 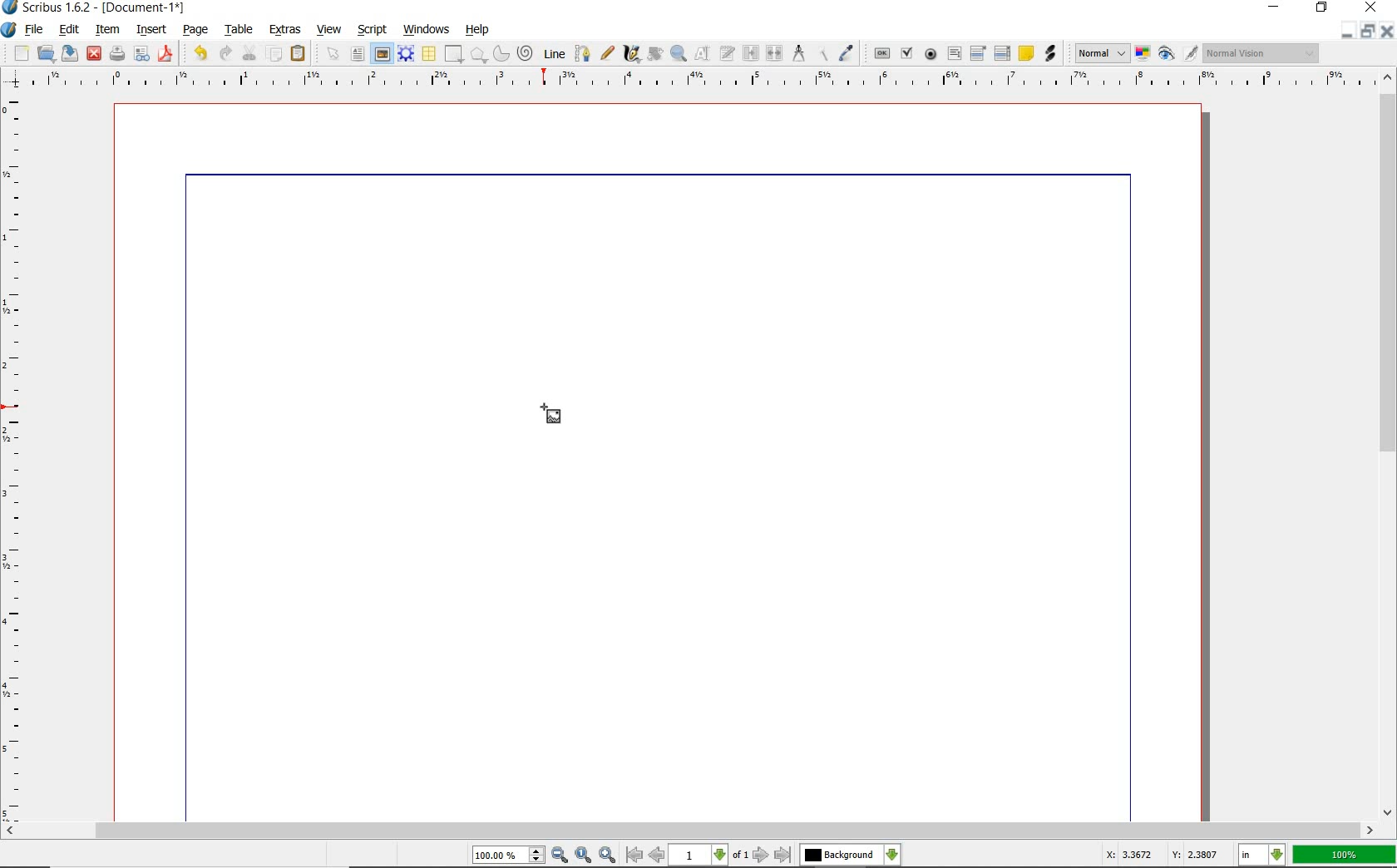 I want to click on view, so click(x=332, y=31).